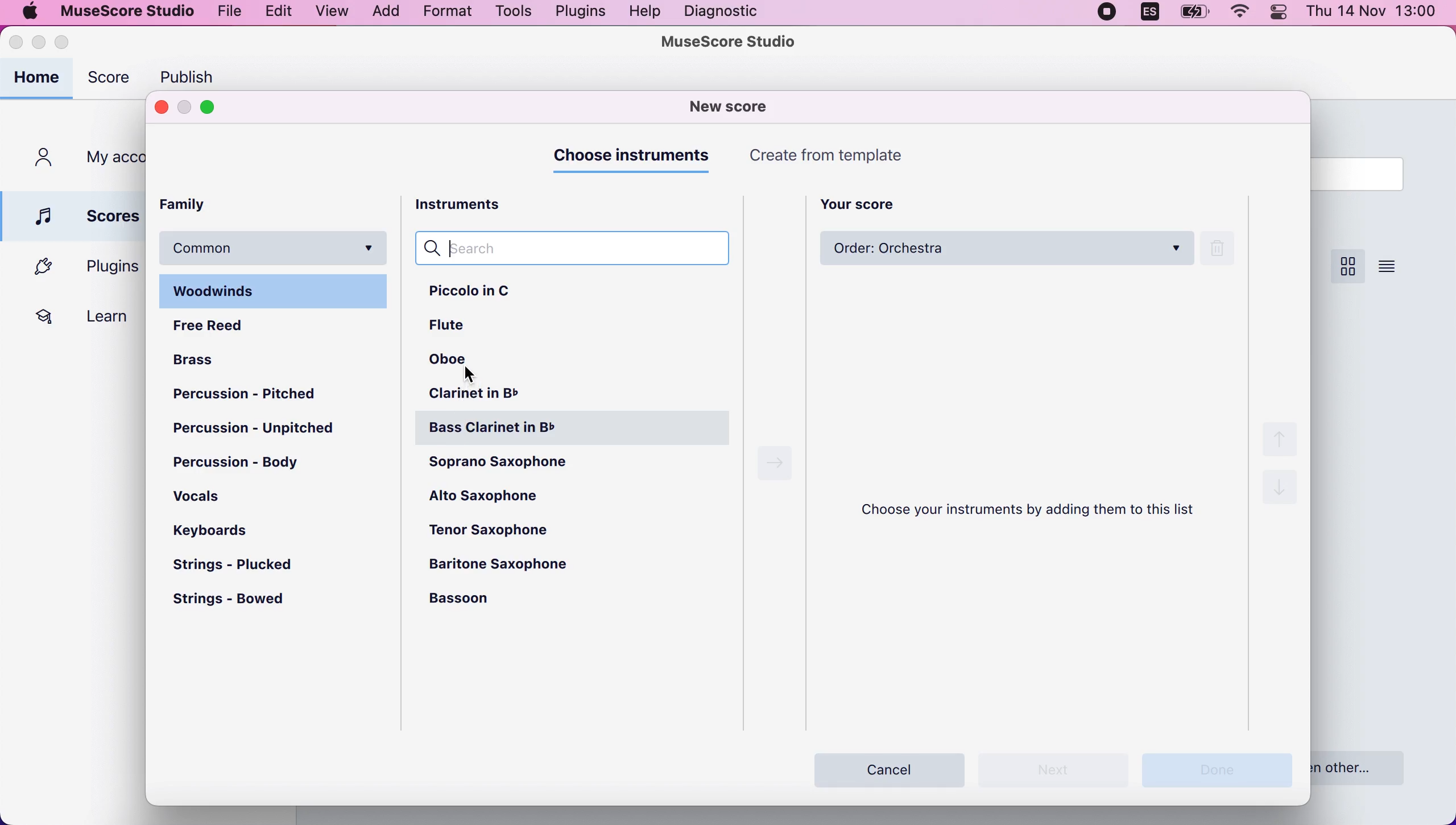 This screenshot has height=825, width=1456. What do you see at coordinates (1007, 250) in the screenshot?
I see `order:orchestra` at bounding box center [1007, 250].